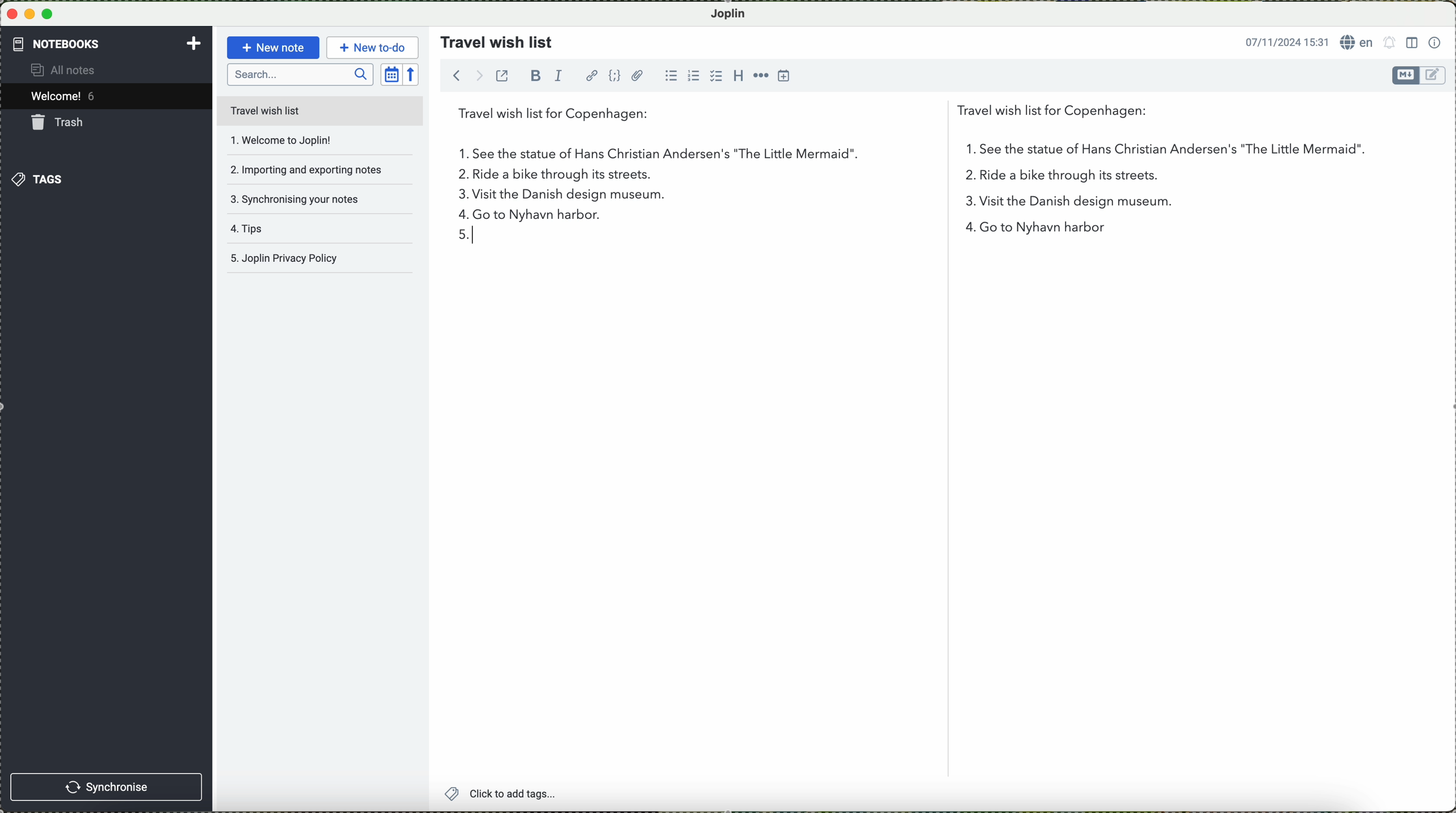 The image size is (1456, 813). Describe the element at coordinates (1411, 43) in the screenshot. I see `toggle editor layout` at that location.